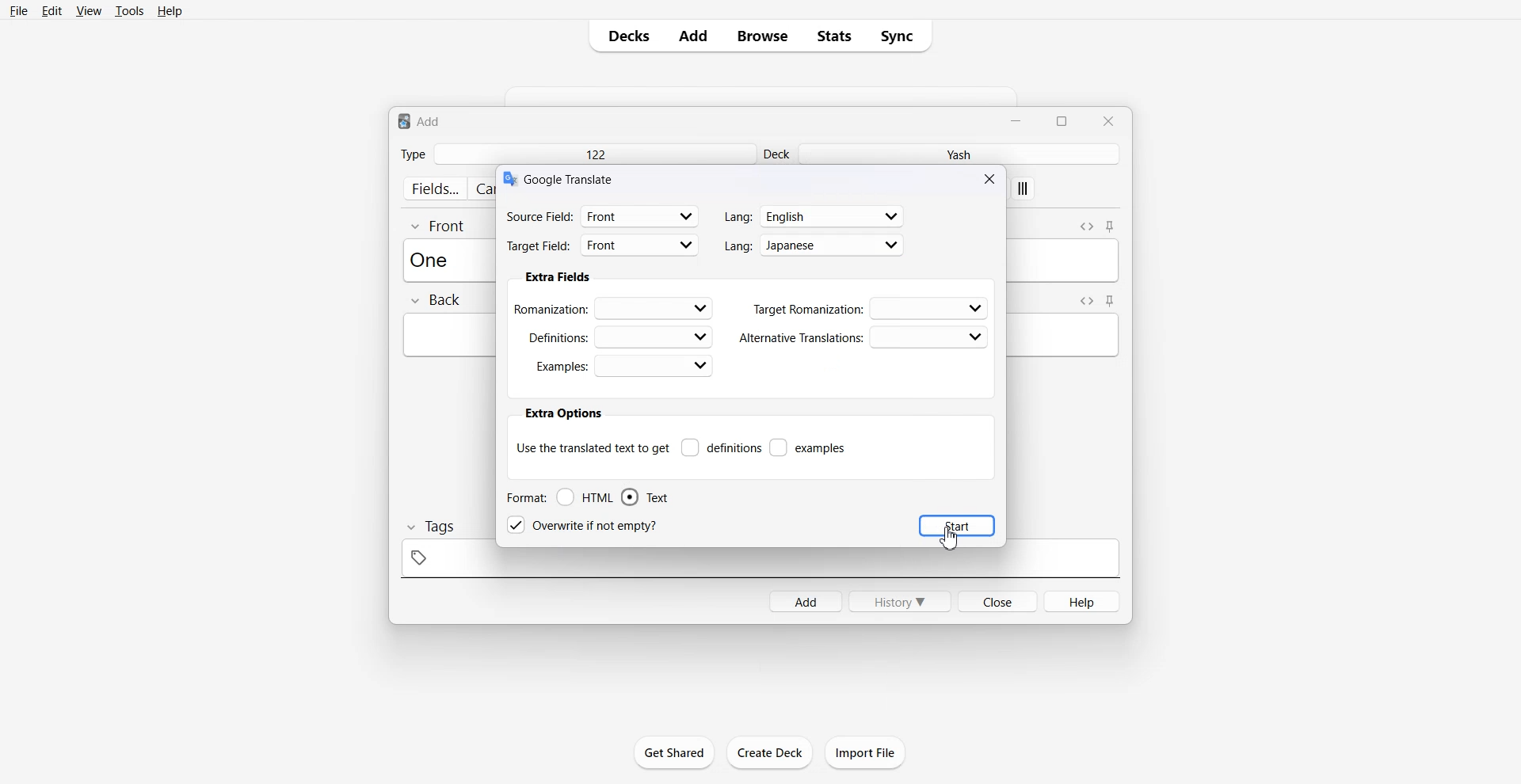  What do you see at coordinates (957, 525) in the screenshot?
I see `Start` at bounding box center [957, 525].